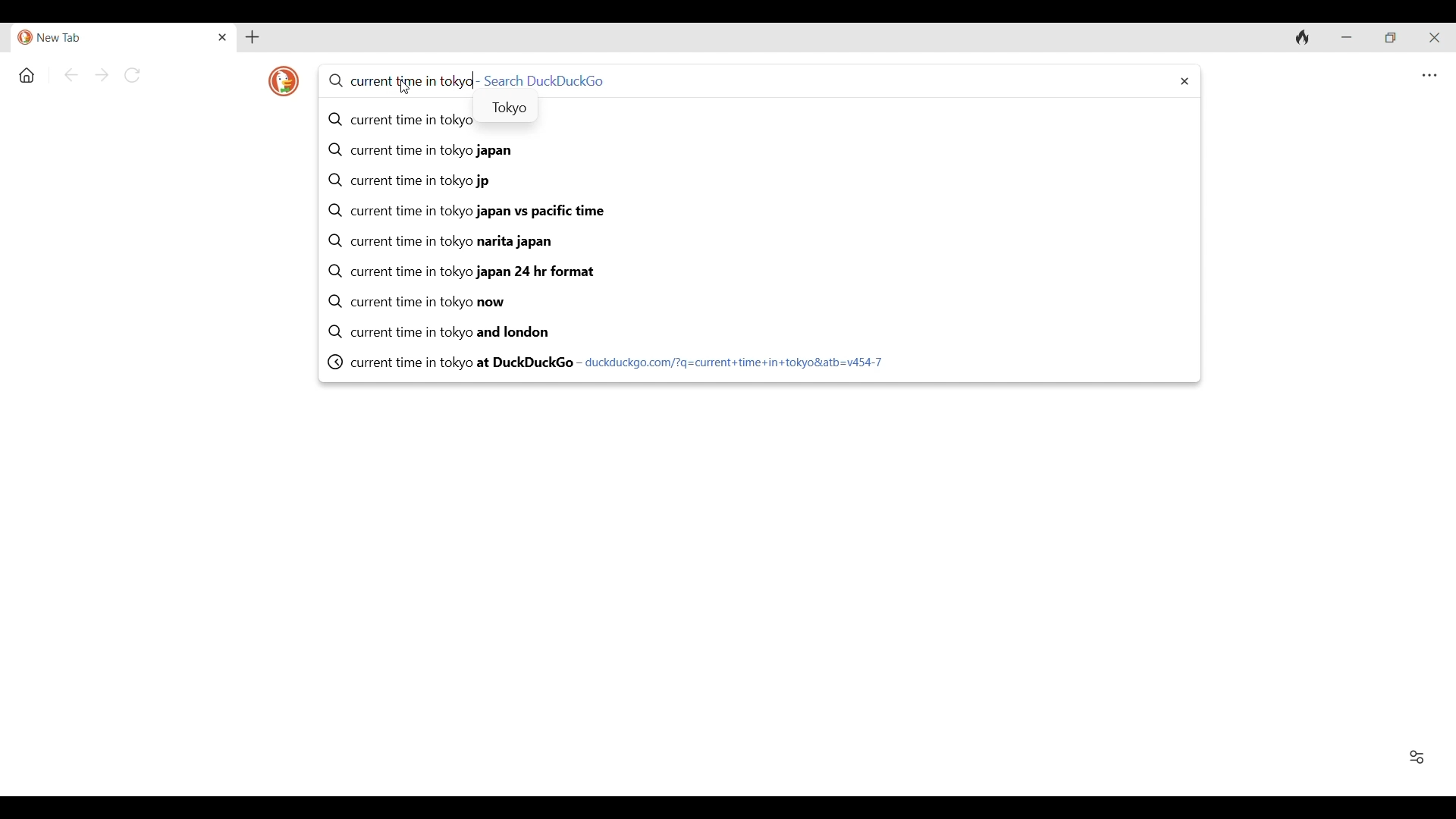 This screenshot has width=1456, height=819. What do you see at coordinates (402, 120) in the screenshot?
I see `current time in tokyo` at bounding box center [402, 120].